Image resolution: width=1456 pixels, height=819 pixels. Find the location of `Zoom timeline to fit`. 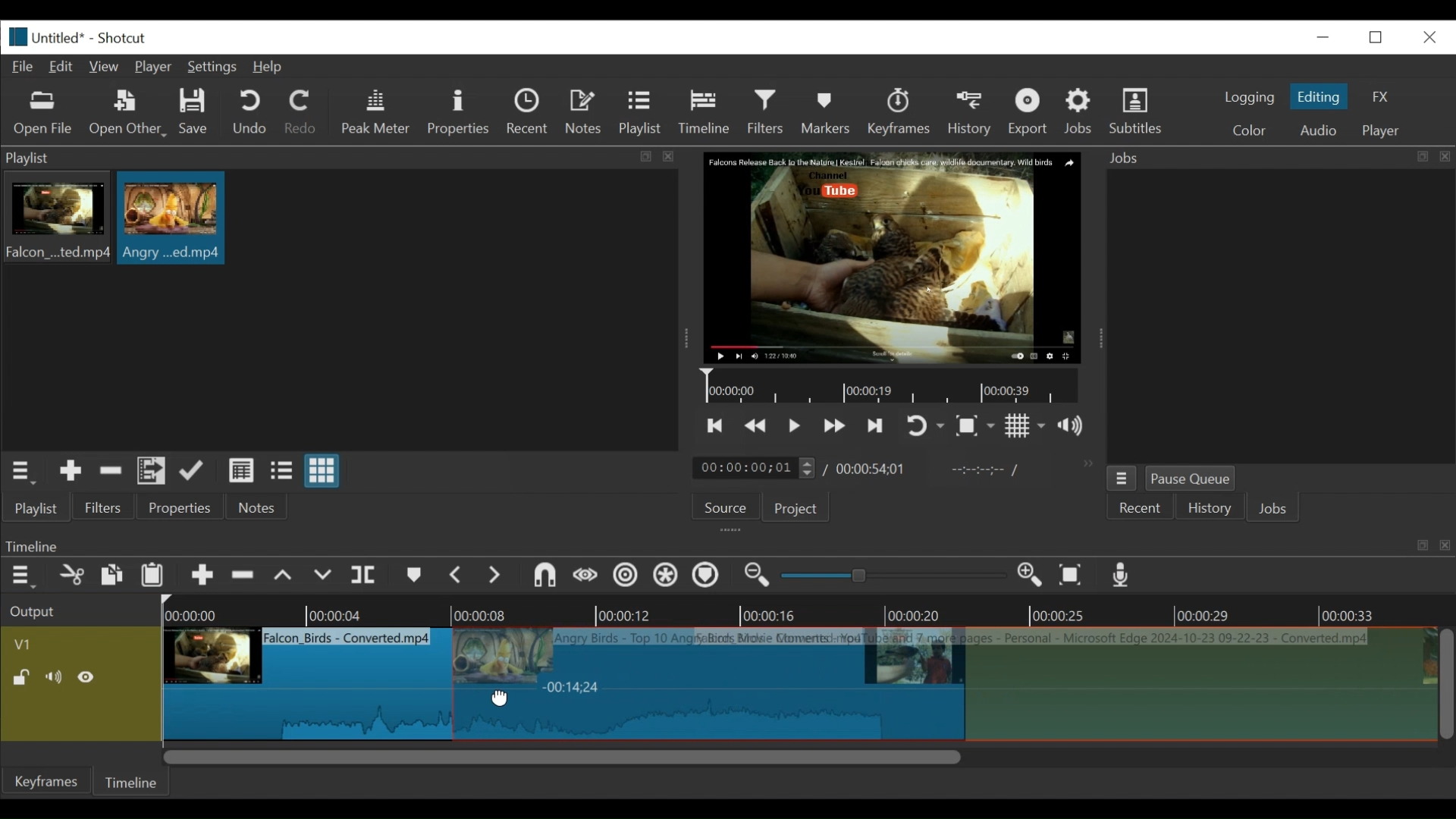

Zoom timeline to fit is located at coordinates (1075, 576).